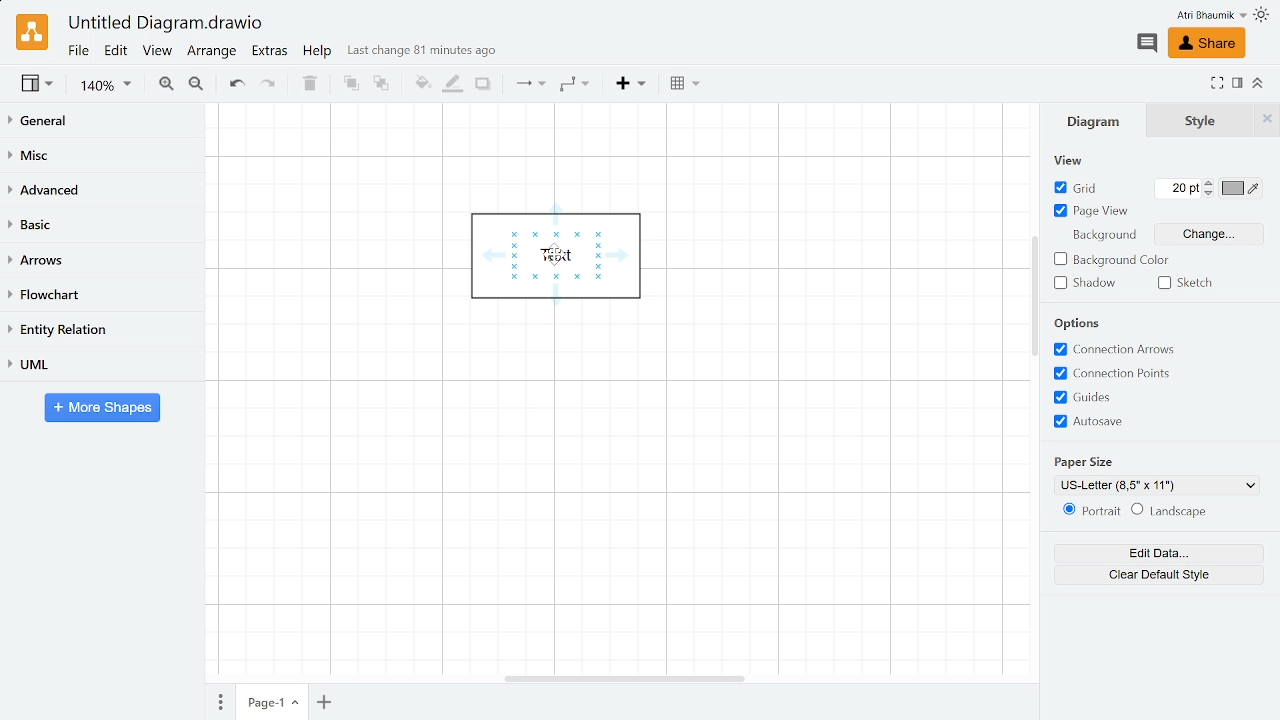  I want to click on page view, so click(1092, 213).